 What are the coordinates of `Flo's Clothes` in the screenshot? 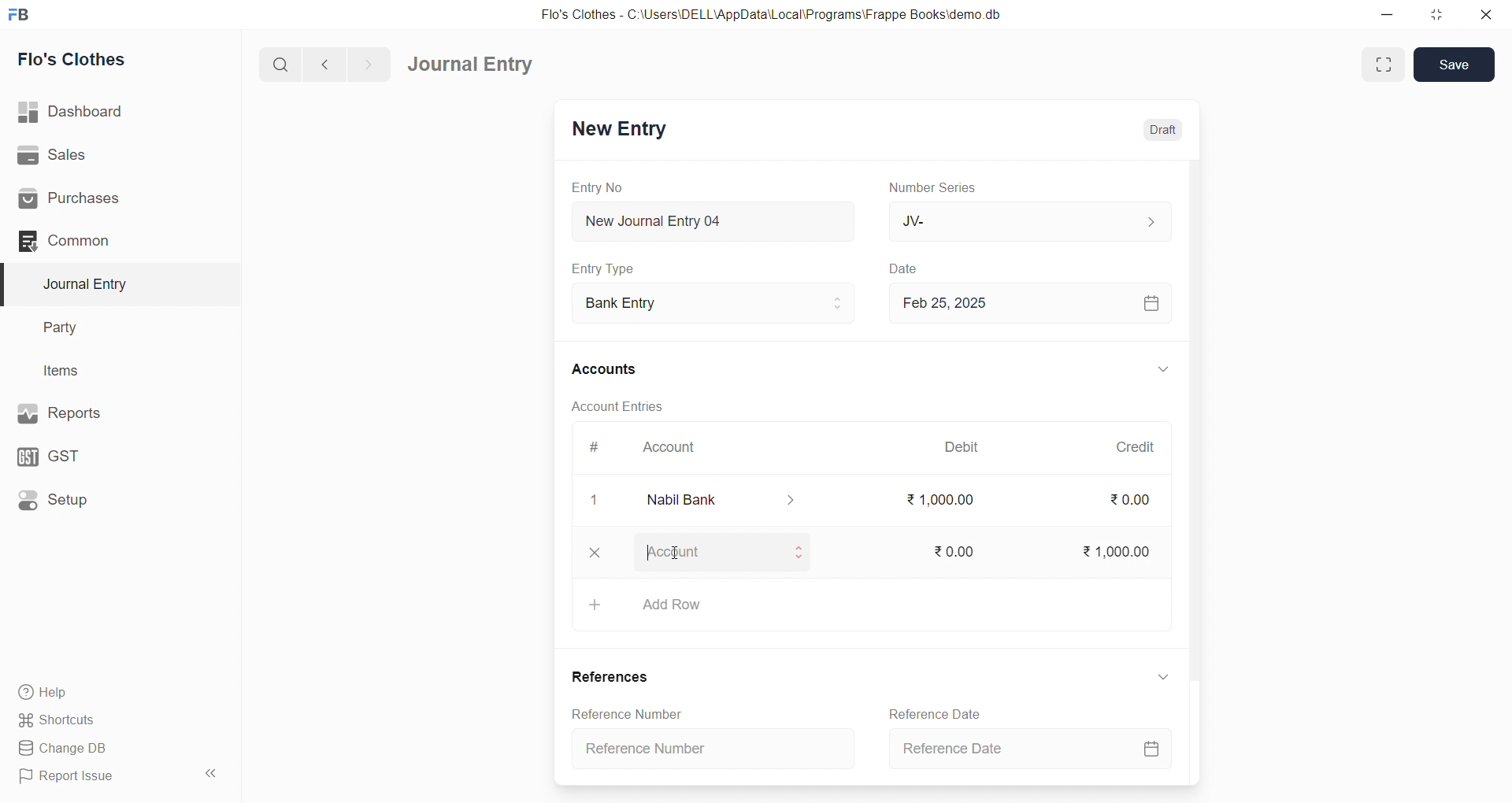 It's located at (113, 60).